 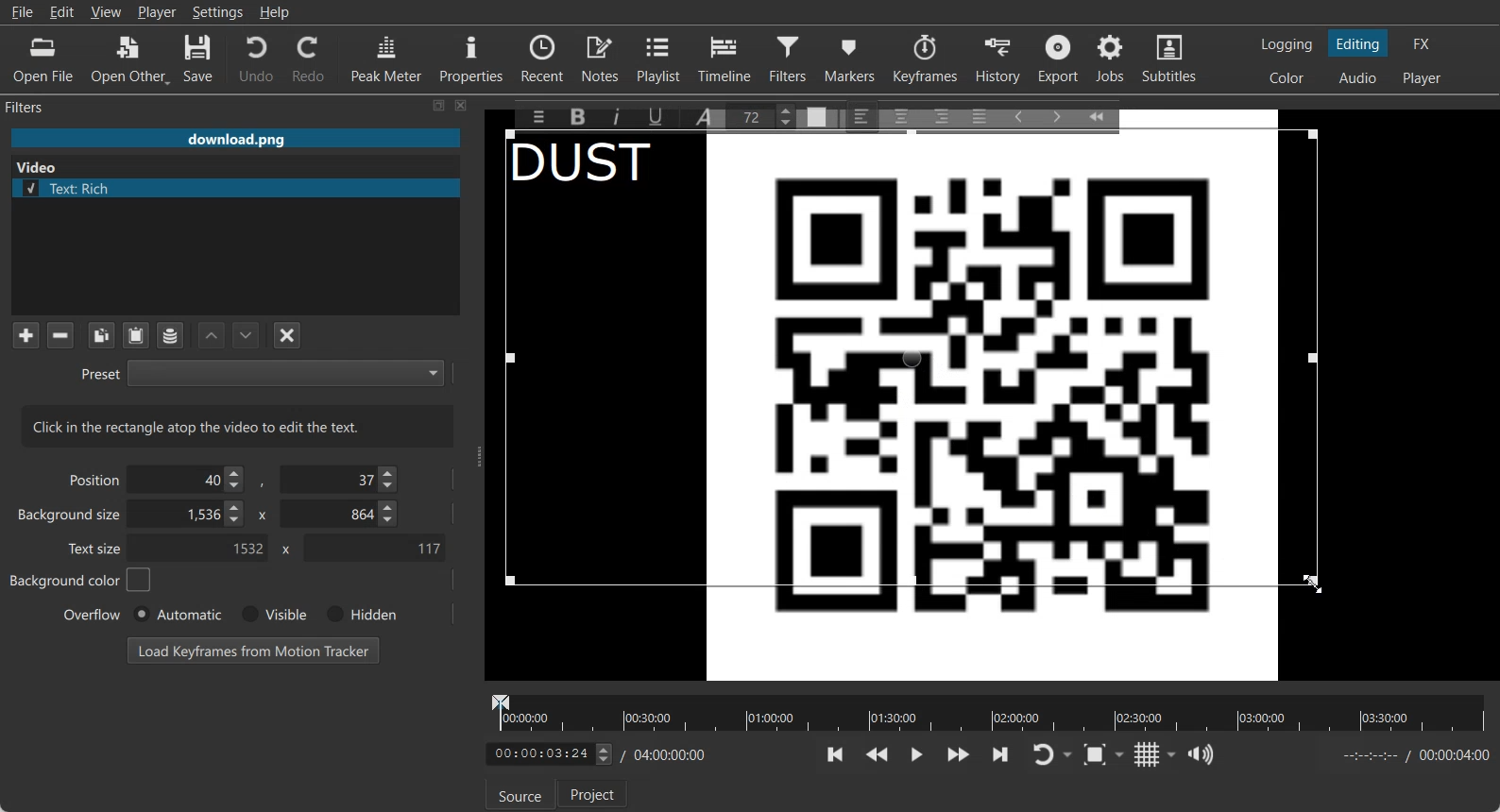 What do you see at coordinates (851, 58) in the screenshot?
I see `Markers` at bounding box center [851, 58].